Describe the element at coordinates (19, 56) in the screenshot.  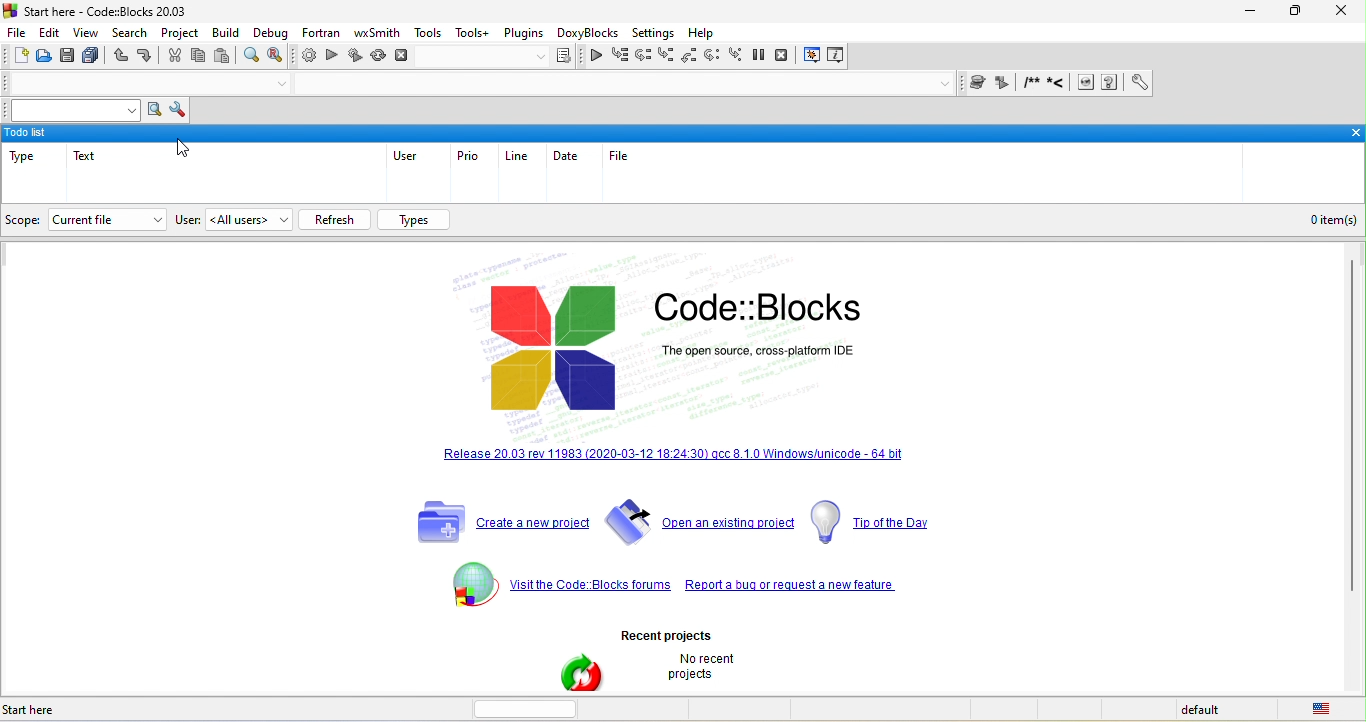
I see `new` at that location.